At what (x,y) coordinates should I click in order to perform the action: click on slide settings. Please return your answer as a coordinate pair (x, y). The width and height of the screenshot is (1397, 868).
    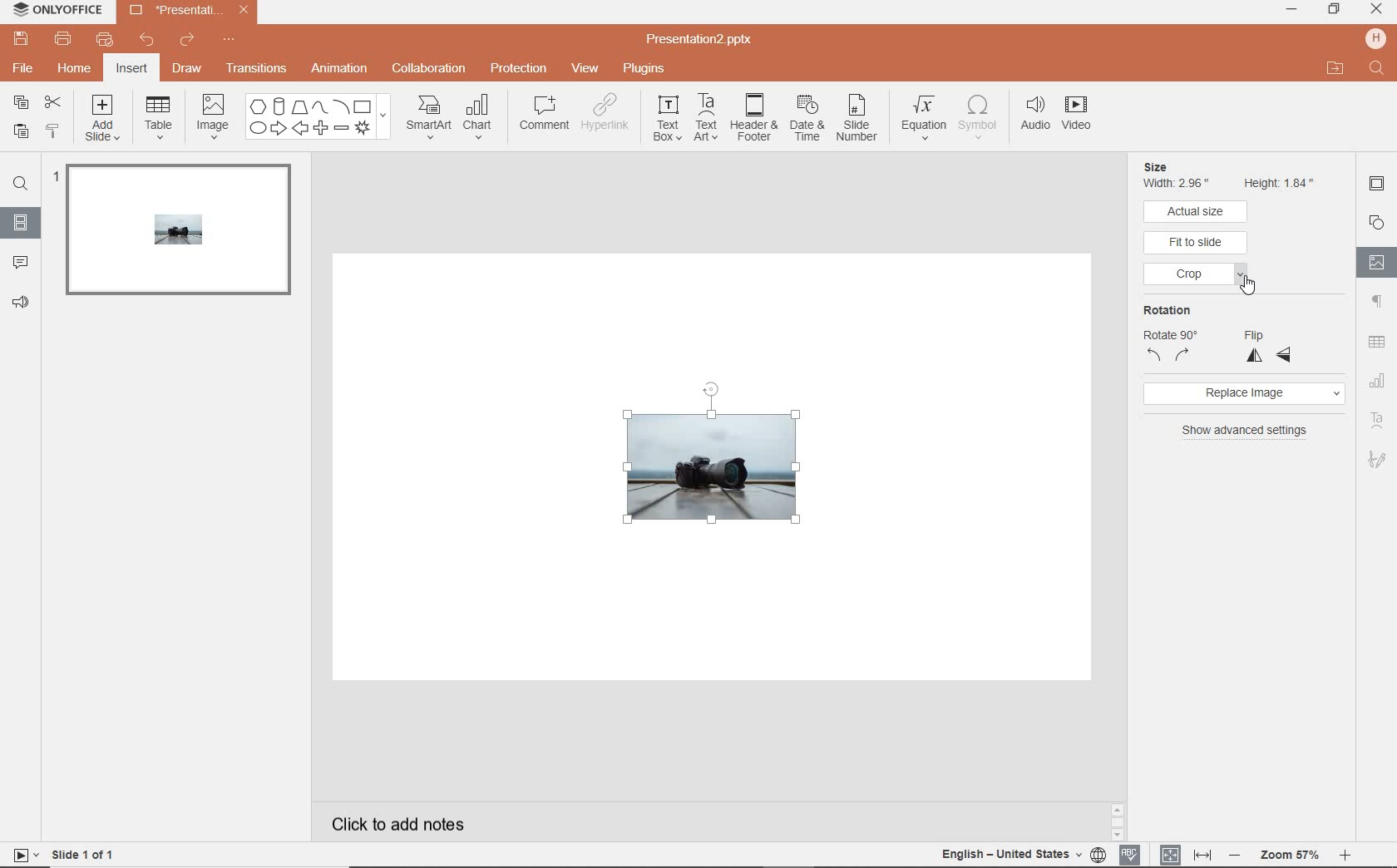
    Looking at the image, I should click on (1377, 186).